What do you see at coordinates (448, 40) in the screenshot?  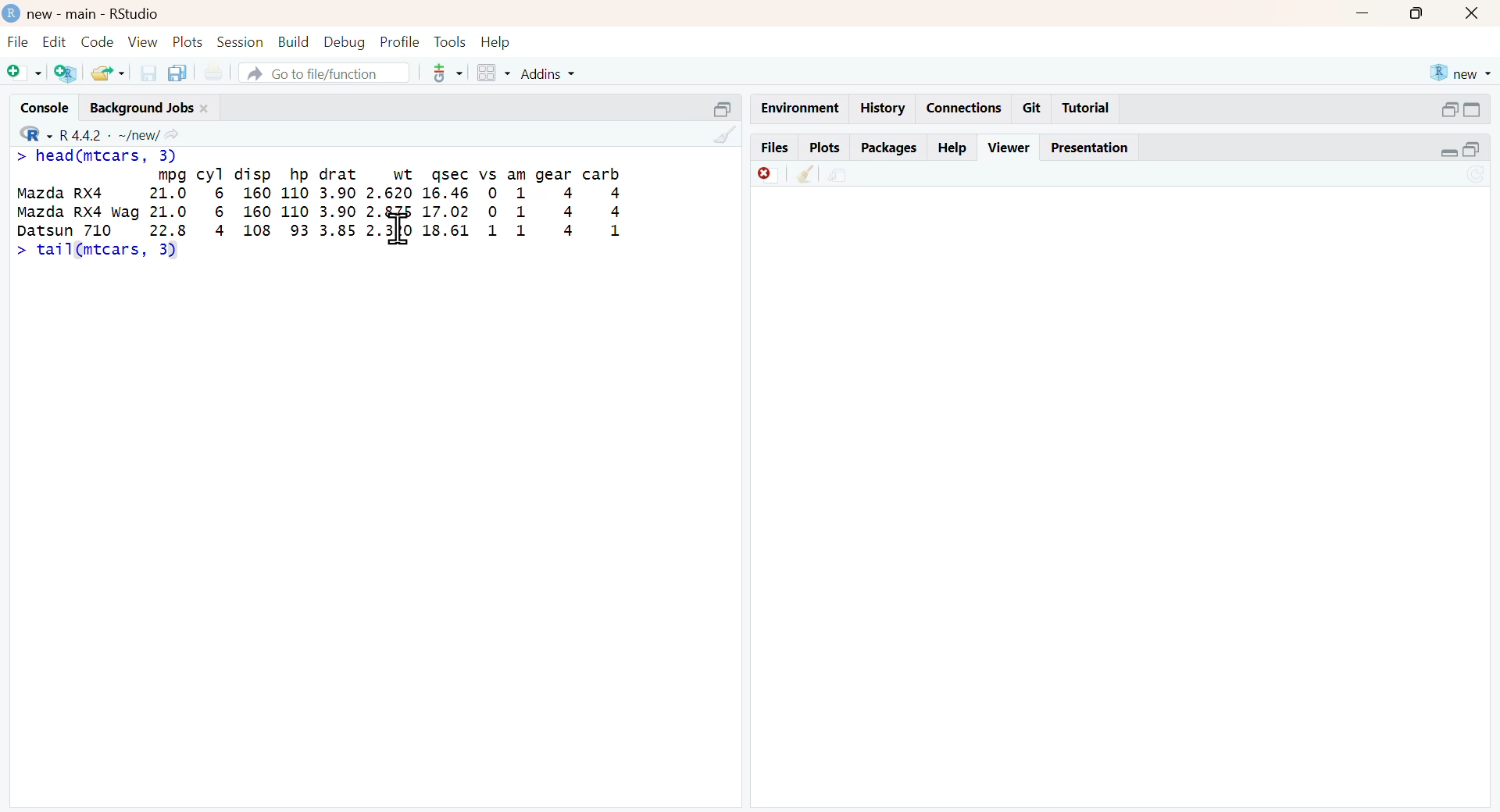 I see `Tools` at bounding box center [448, 40].